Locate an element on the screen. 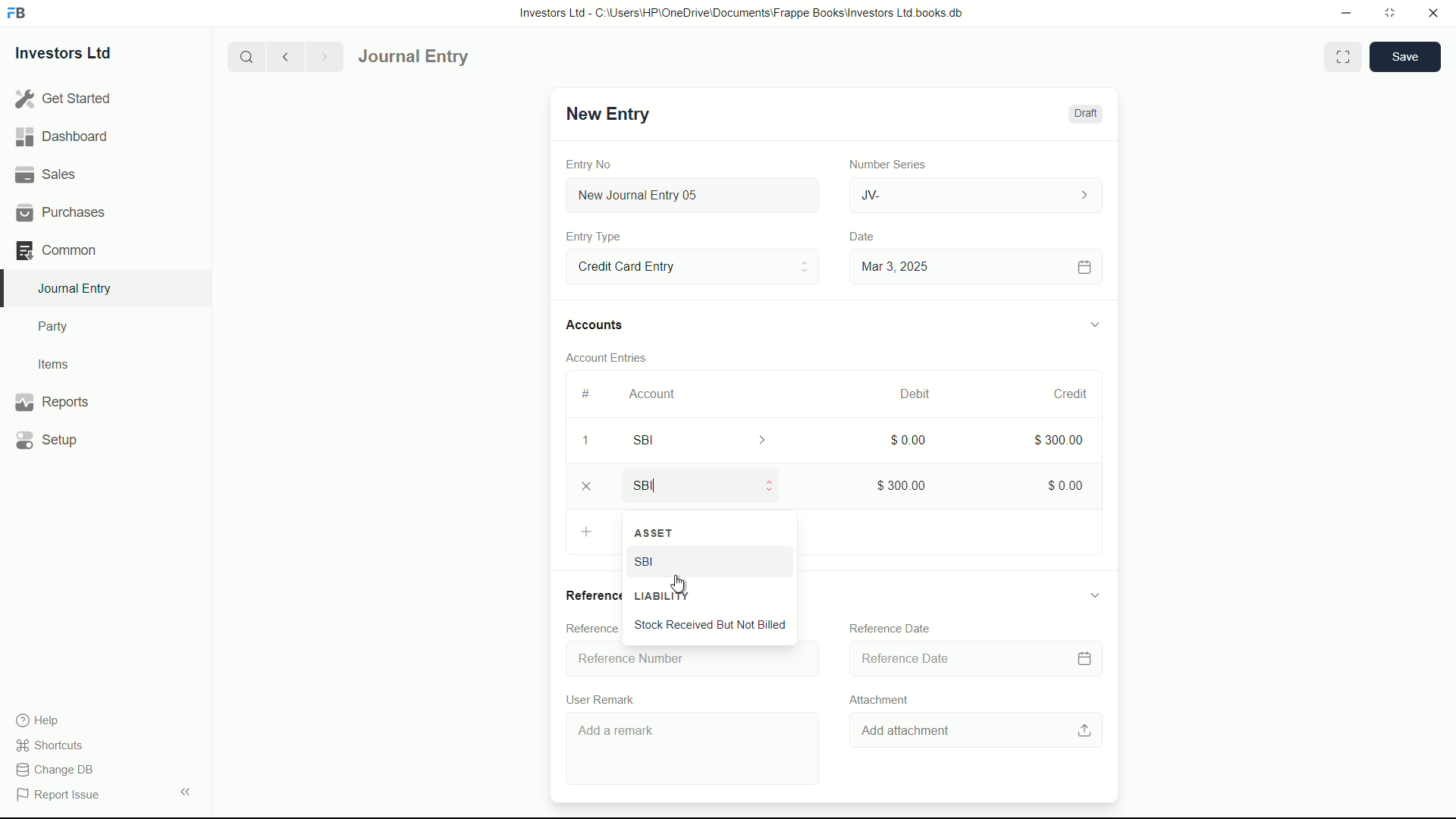 The image size is (1456, 819). expand/collapse is located at coordinates (1094, 594).